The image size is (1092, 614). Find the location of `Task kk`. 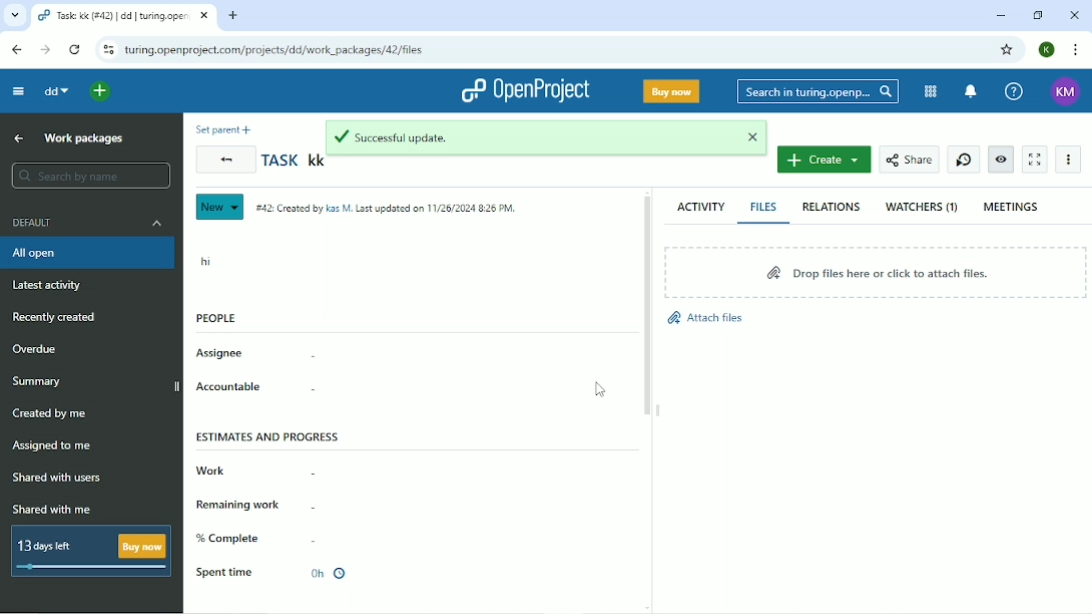

Task kk is located at coordinates (293, 162).